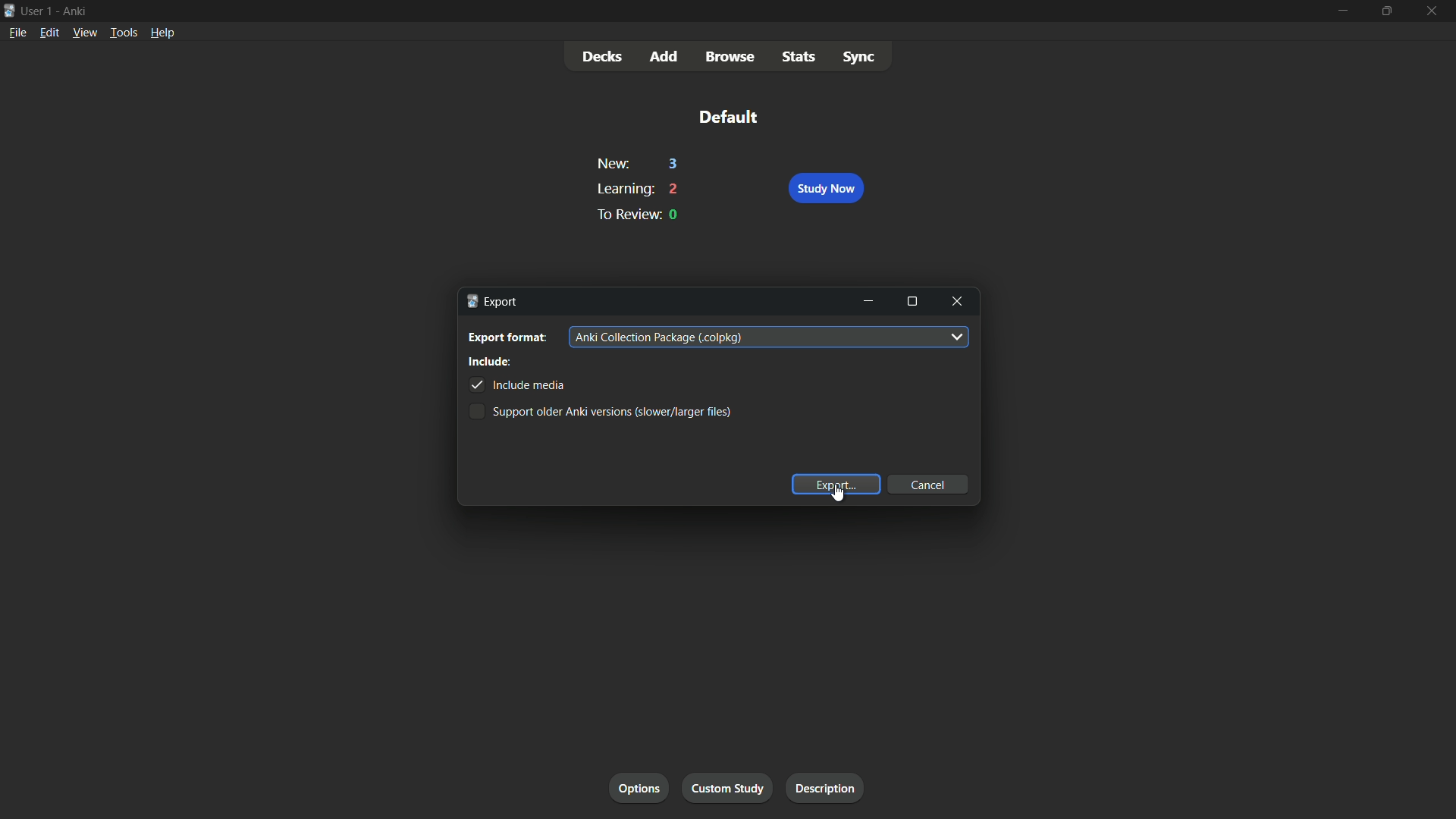 The height and width of the screenshot is (819, 1456). I want to click on dropdown, so click(959, 337).